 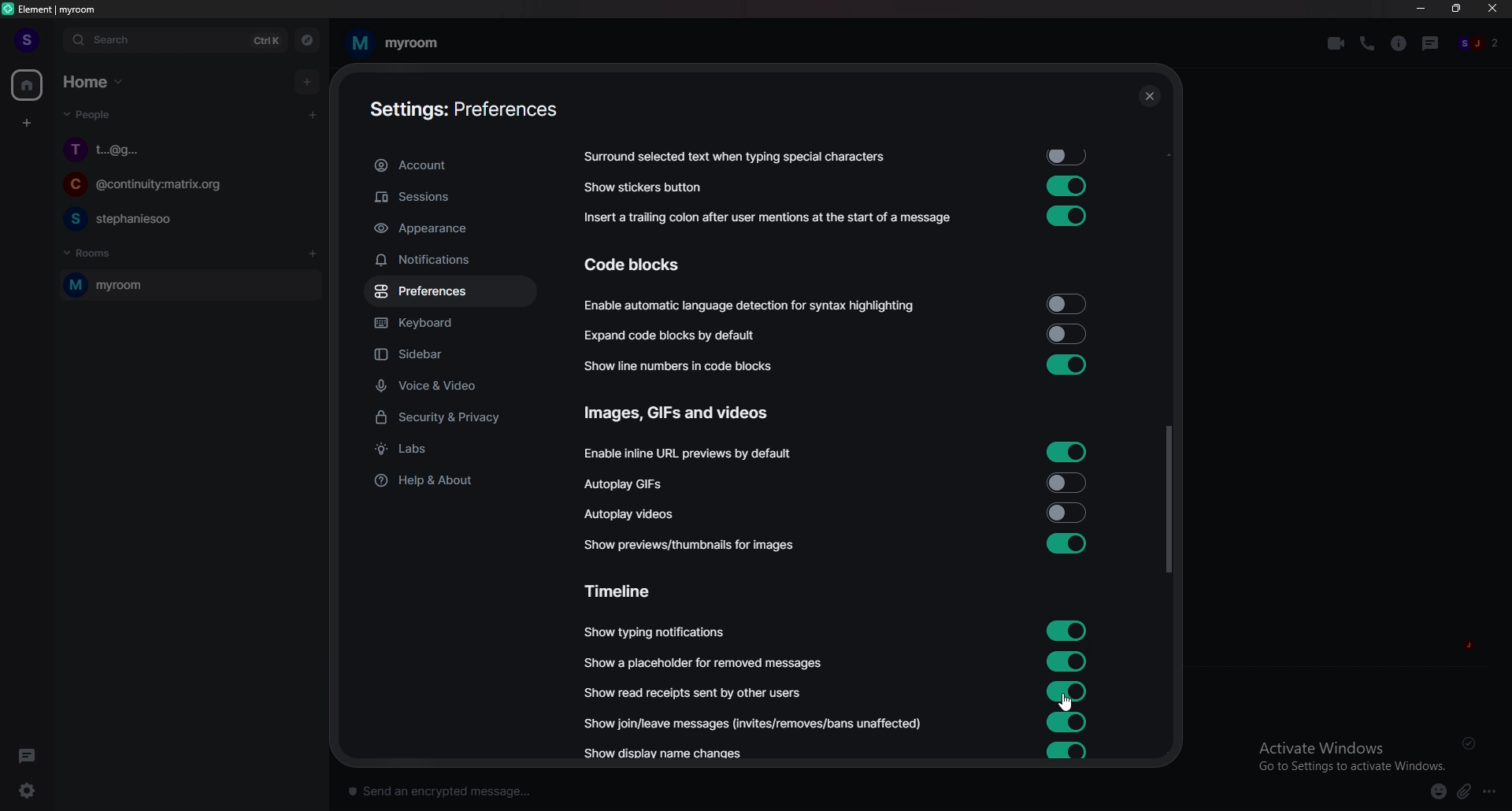 I want to click on scroll bar, so click(x=1168, y=499).